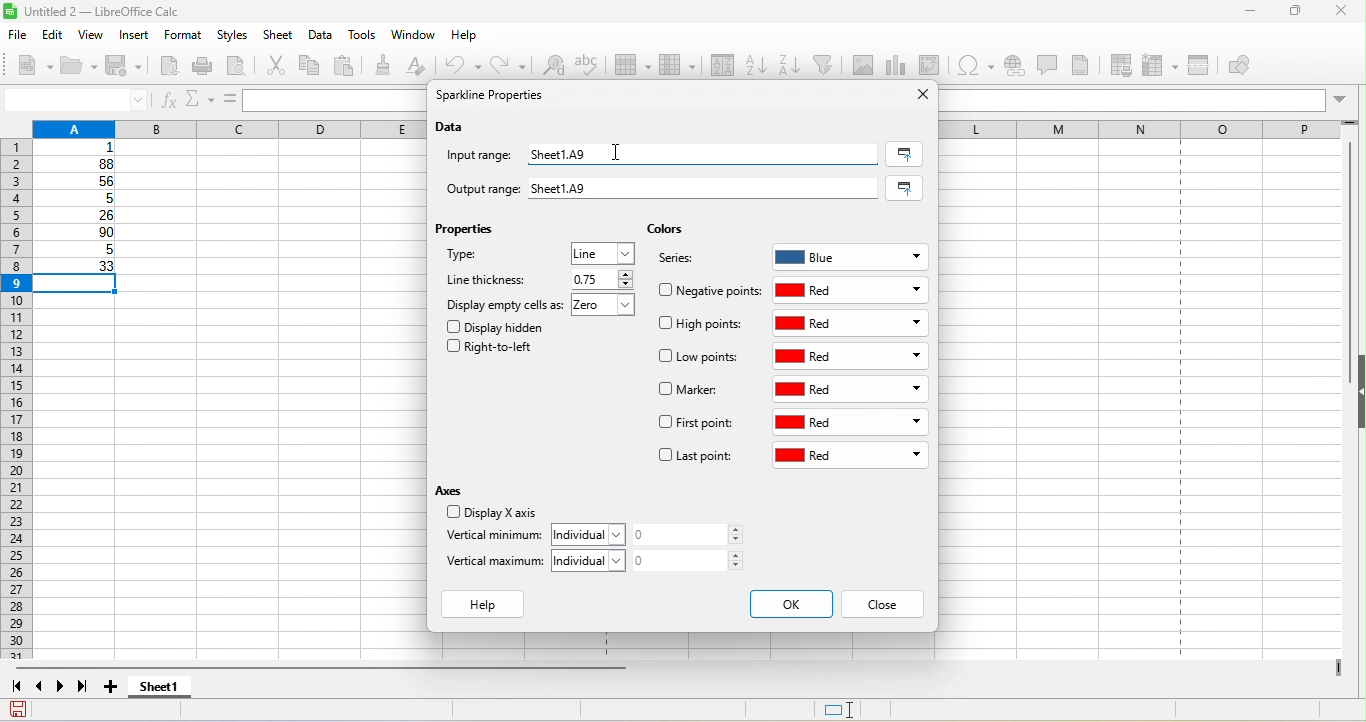 The image size is (1366, 722). I want to click on comment, so click(1047, 64).